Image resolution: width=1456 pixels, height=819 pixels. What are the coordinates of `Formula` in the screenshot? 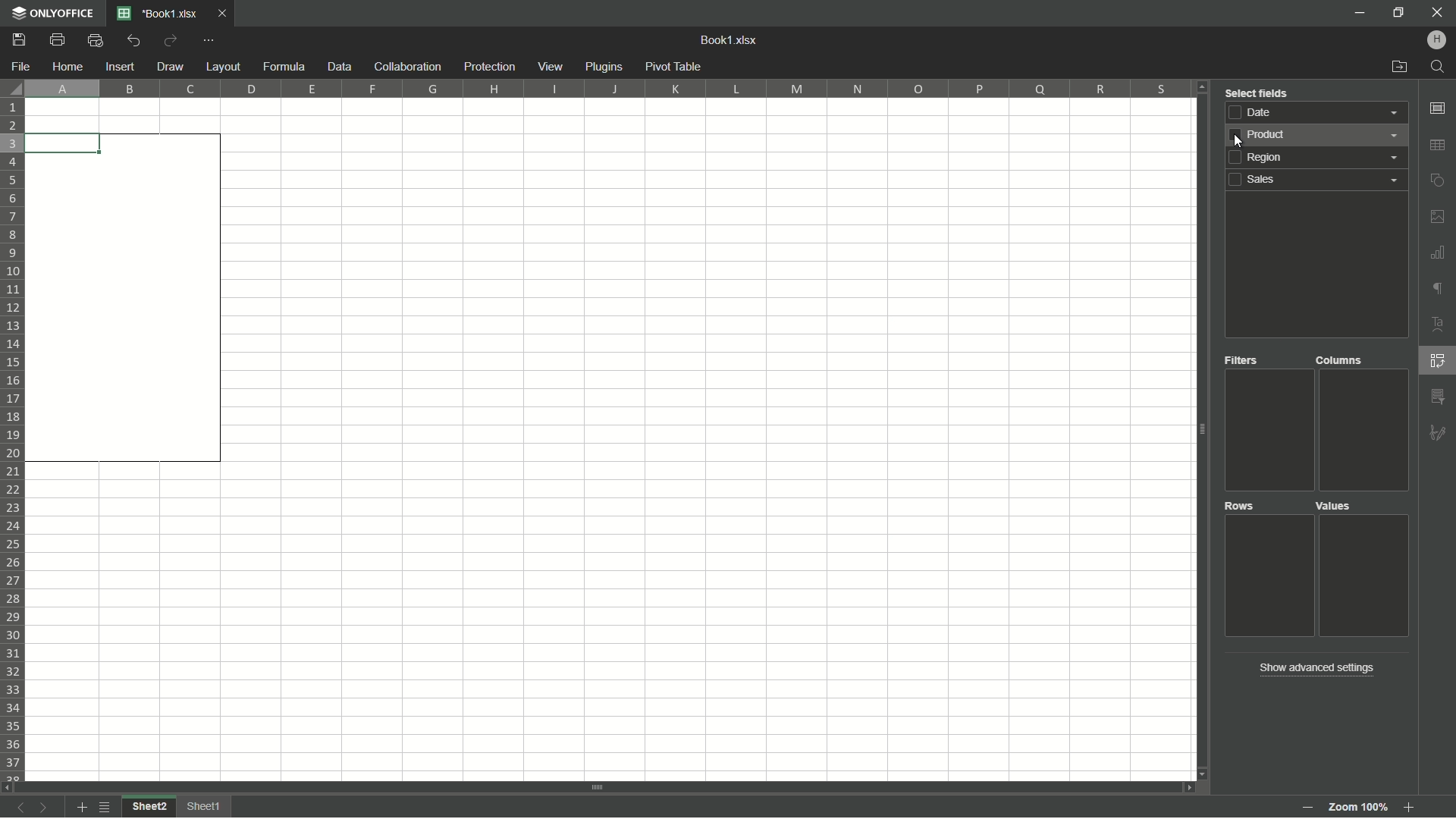 It's located at (283, 67).